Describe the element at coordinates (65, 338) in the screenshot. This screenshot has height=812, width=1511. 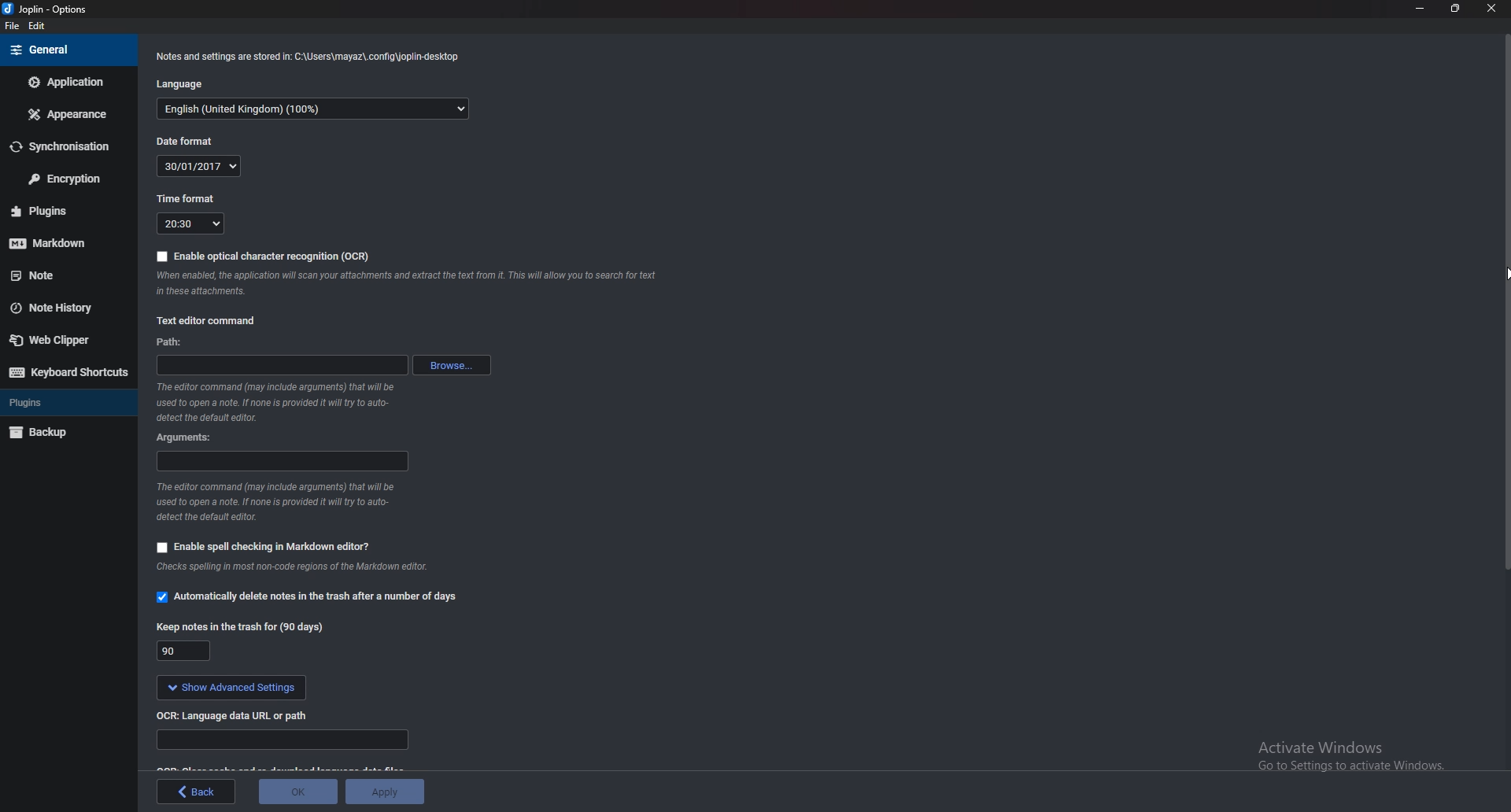
I see `Web clipper` at that location.